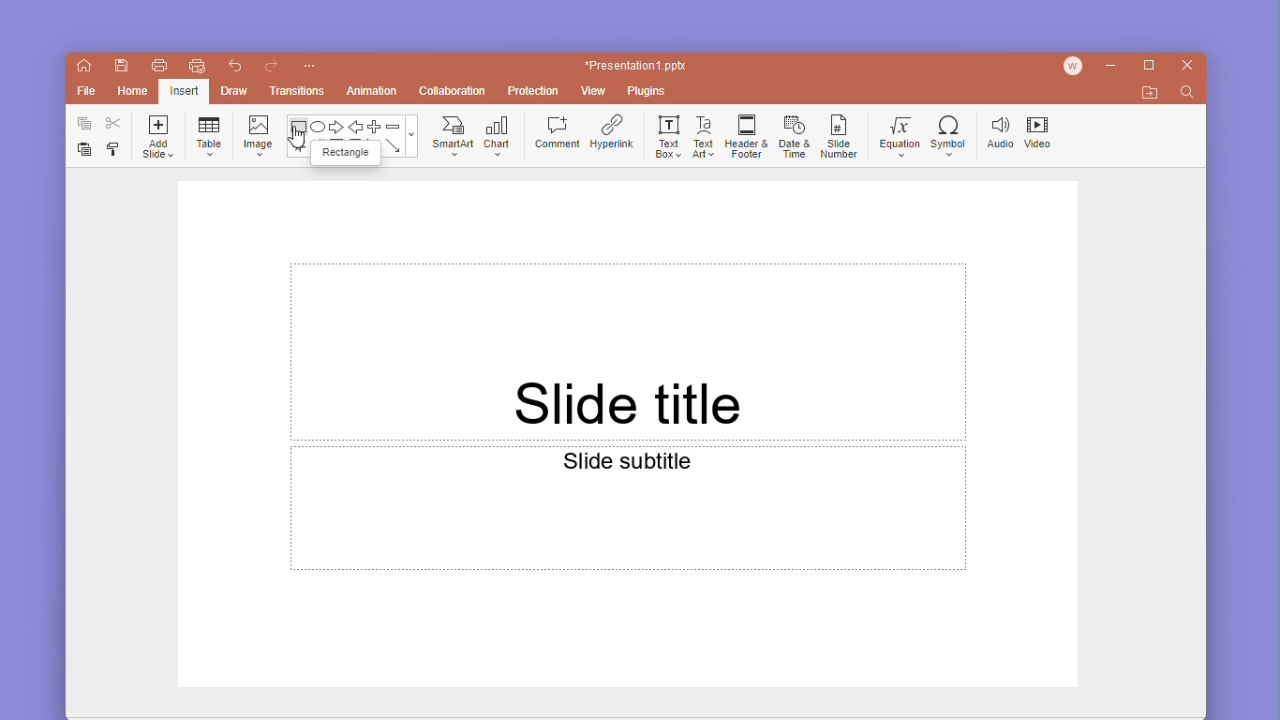  I want to click on save, so click(119, 67).